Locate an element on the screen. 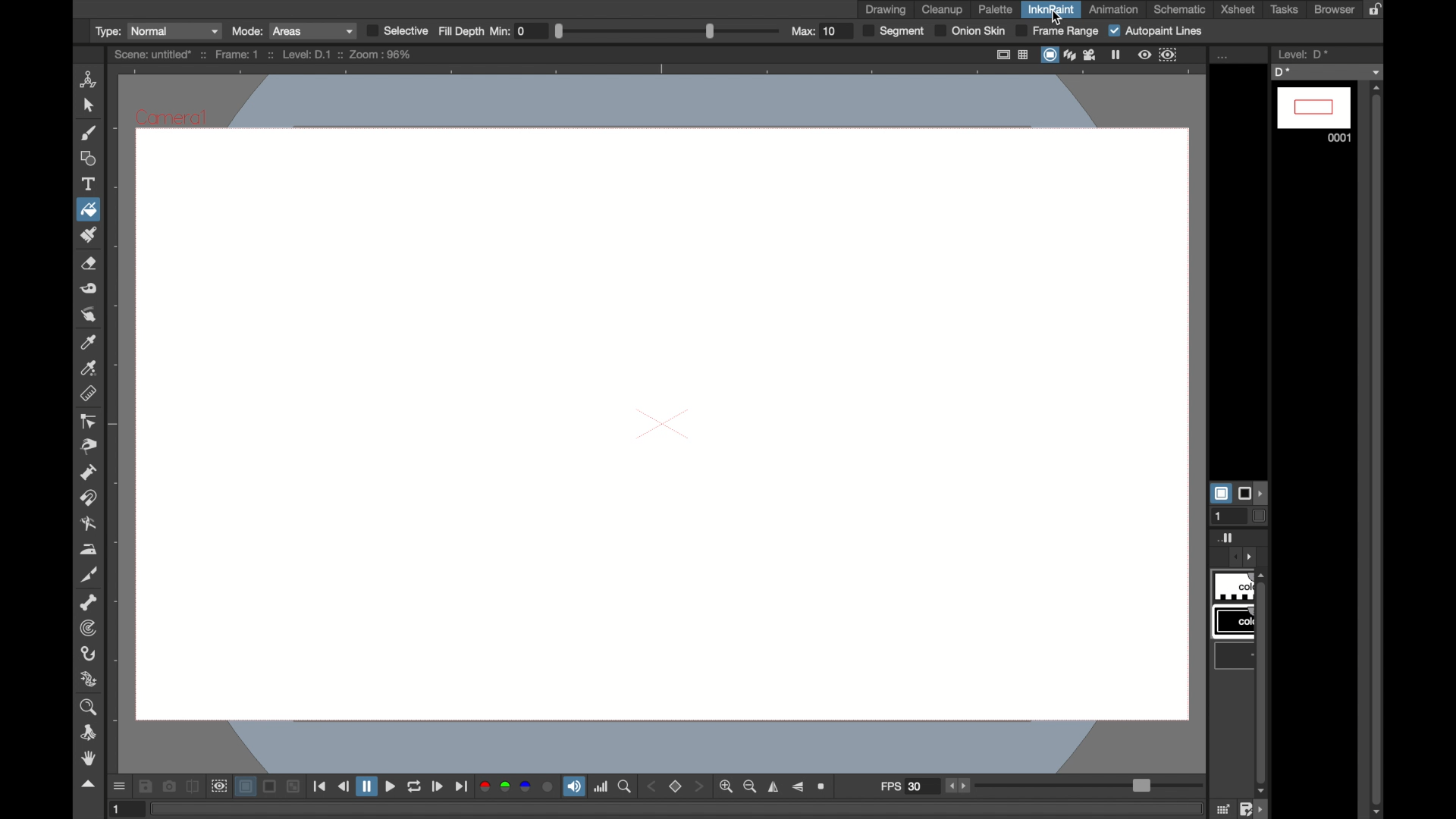  min is located at coordinates (510, 30).